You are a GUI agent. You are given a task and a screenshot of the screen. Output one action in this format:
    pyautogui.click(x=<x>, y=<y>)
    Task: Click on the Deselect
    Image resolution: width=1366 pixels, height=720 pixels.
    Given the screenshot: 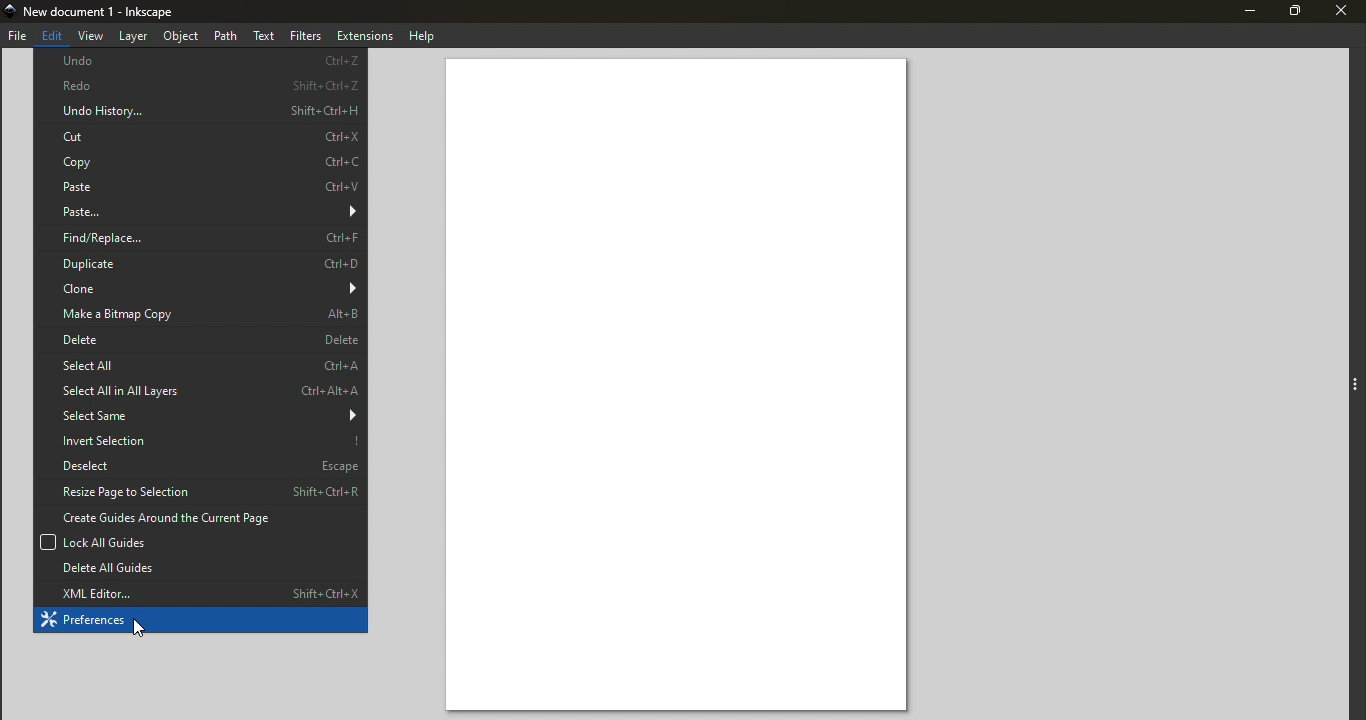 What is the action you would take?
    pyautogui.click(x=199, y=466)
    